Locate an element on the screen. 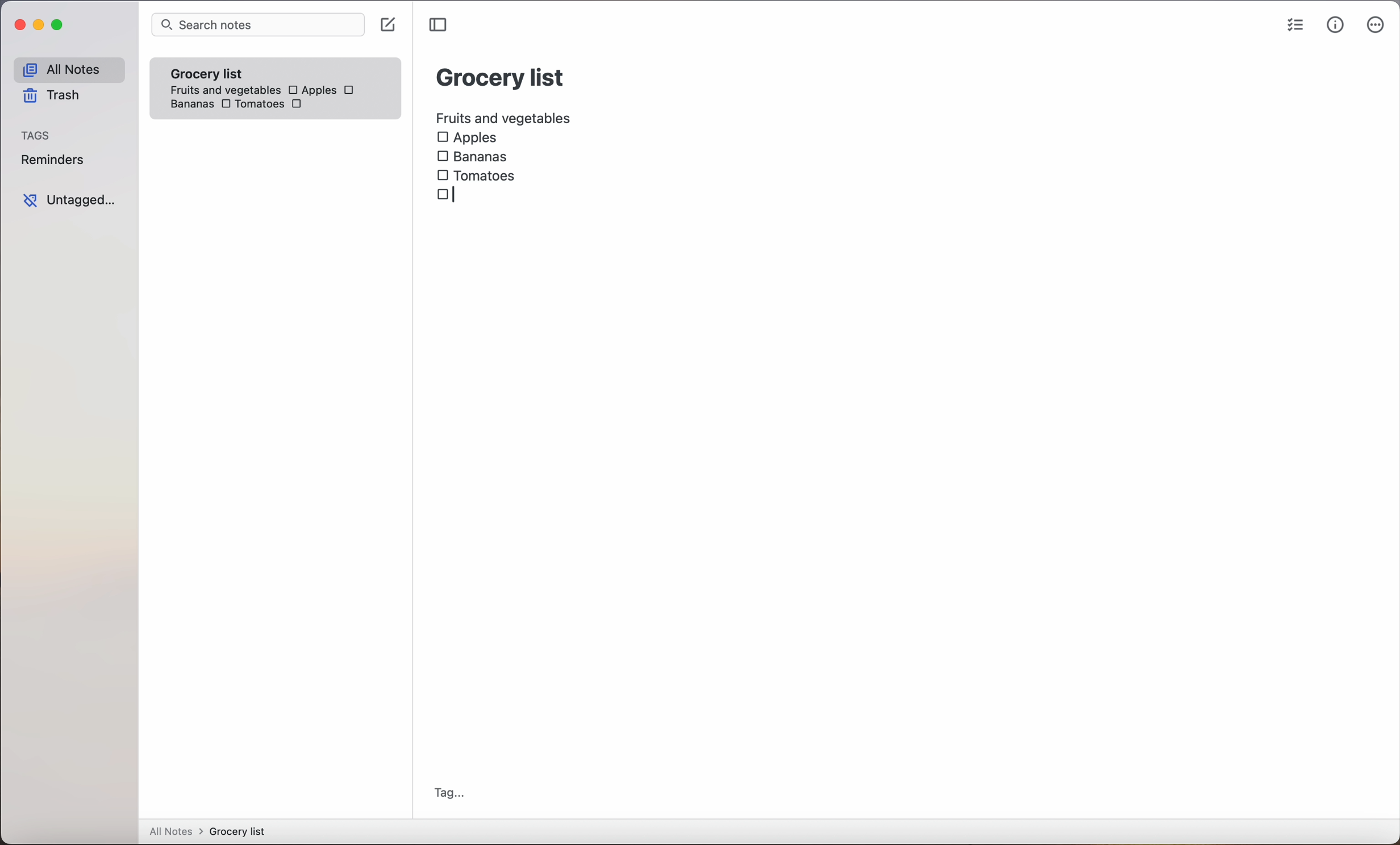 The image size is (1400, 845). more options is located at coordinates (1376, 27).